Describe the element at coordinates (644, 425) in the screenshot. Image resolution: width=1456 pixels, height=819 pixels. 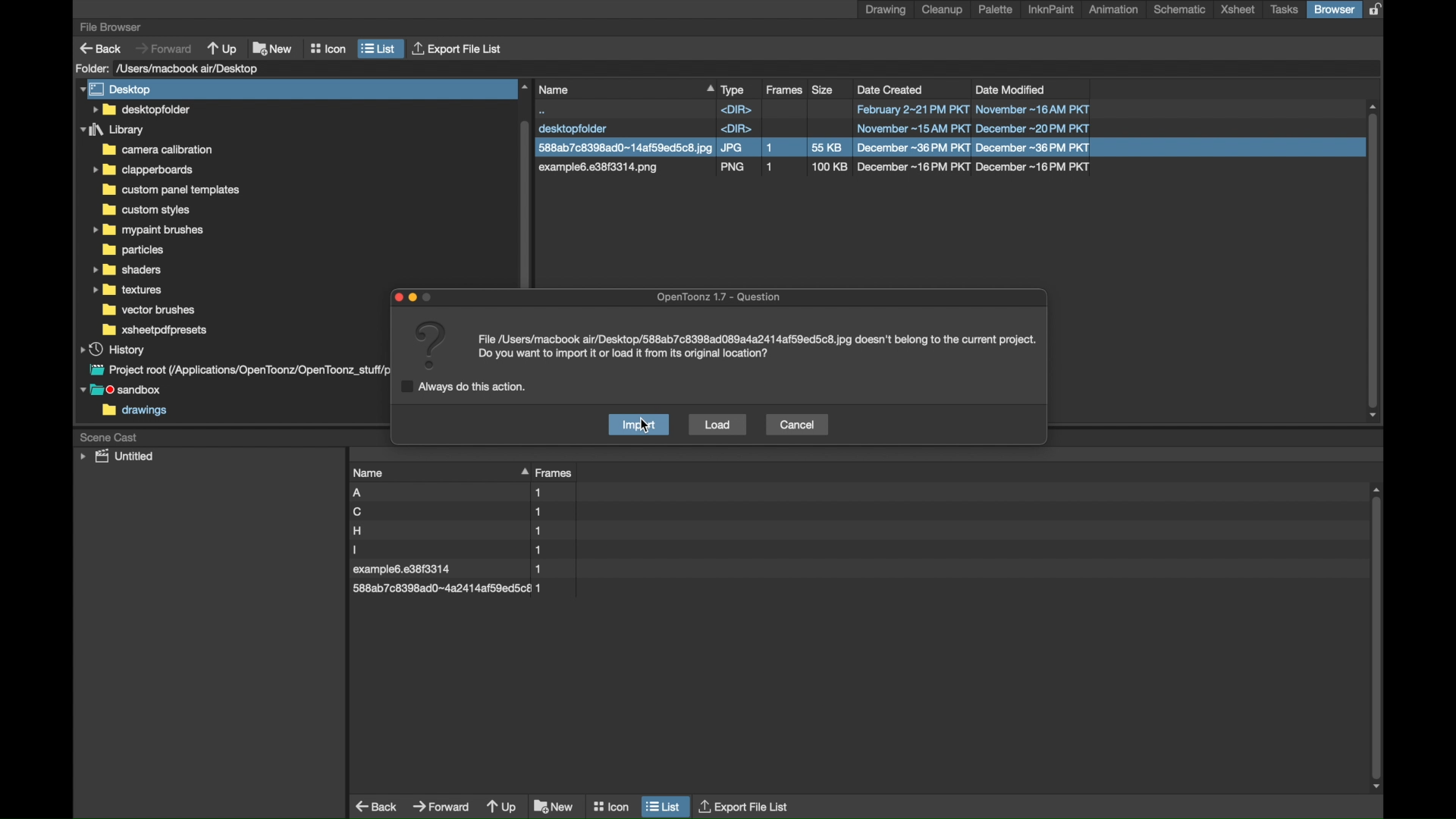
I see `cursor` at that location.